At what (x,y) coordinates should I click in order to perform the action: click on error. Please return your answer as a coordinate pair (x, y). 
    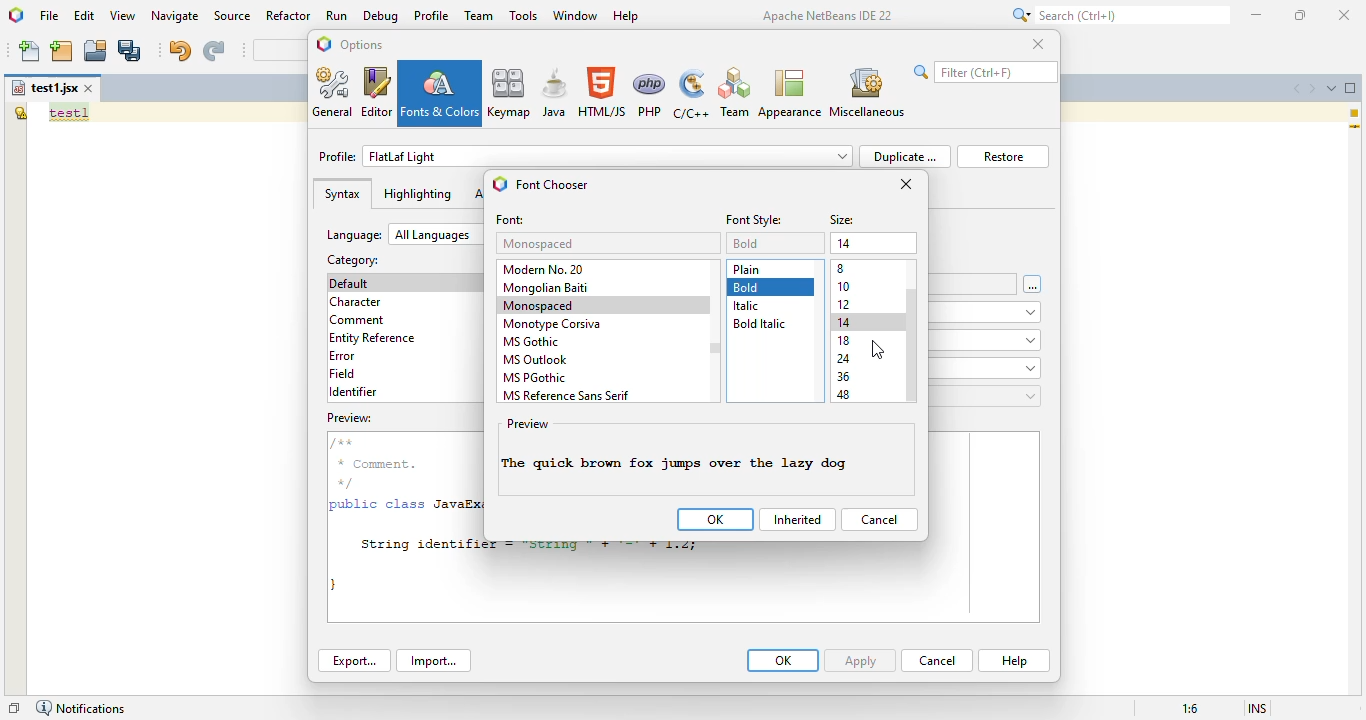
    Looking at the image, I should click on (342, 356).